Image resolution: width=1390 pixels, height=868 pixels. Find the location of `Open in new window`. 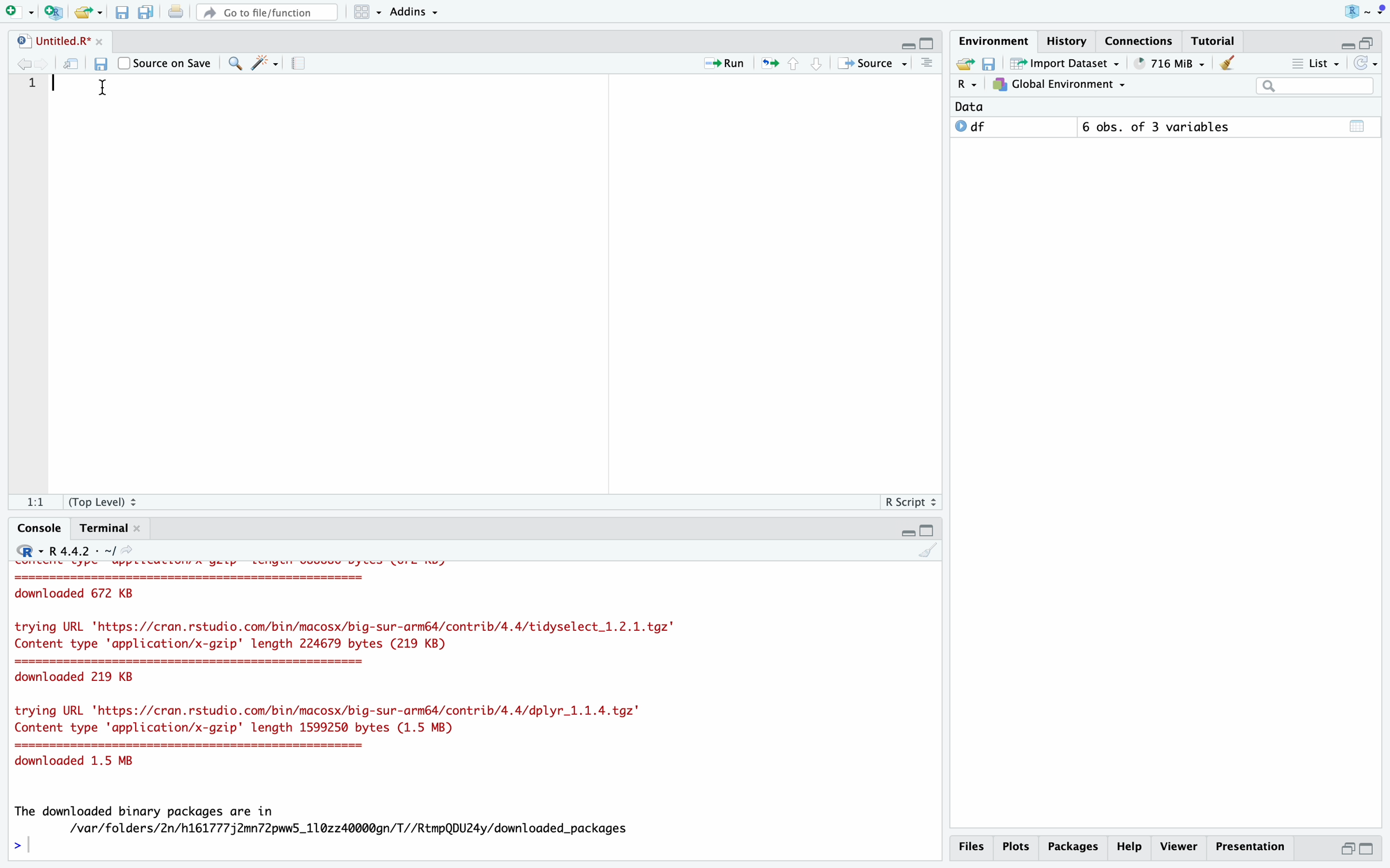

Open in new window is located at coordinates (73, 64).